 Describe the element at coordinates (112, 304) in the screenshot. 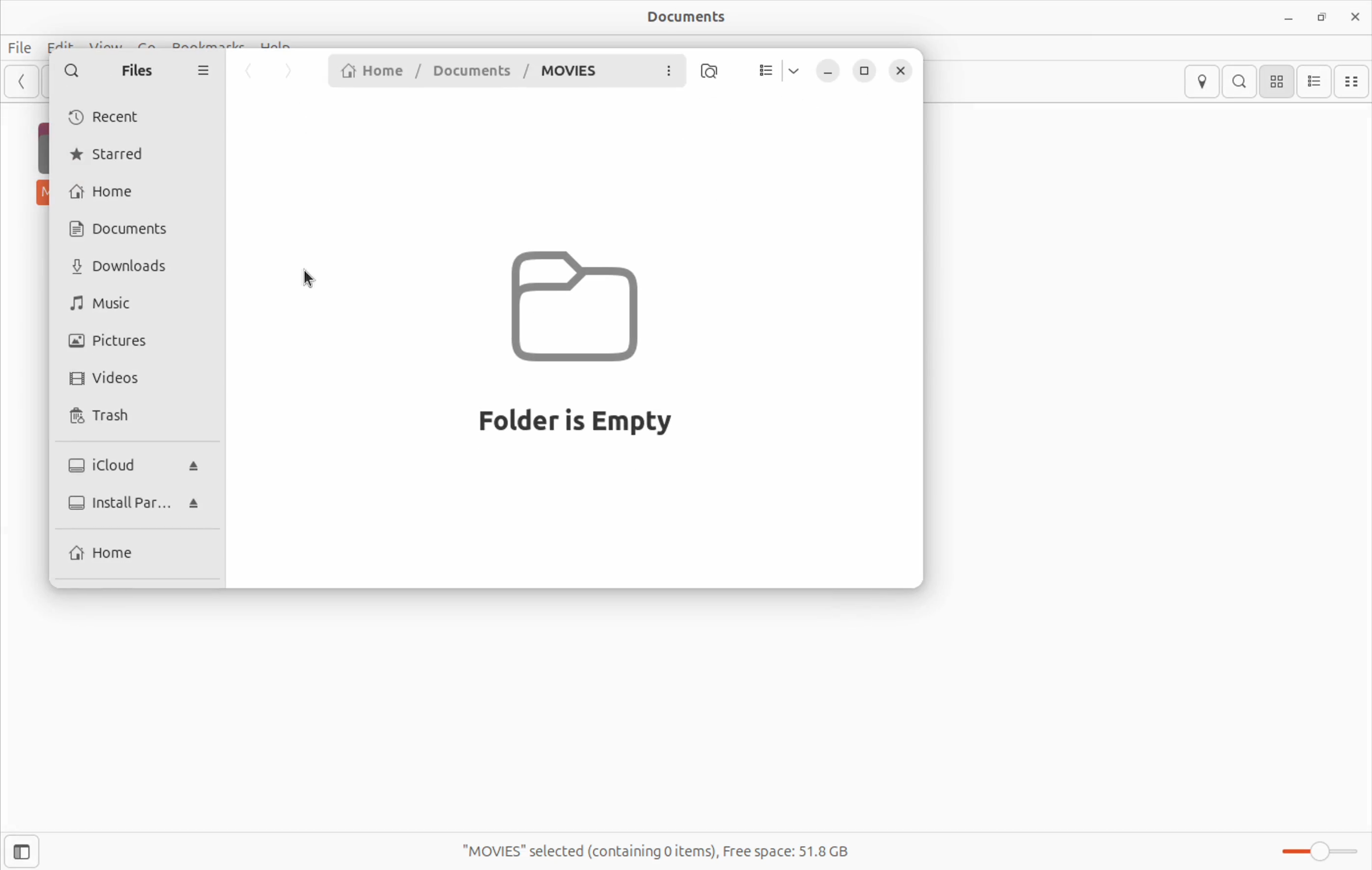

I see `Music` at that location.